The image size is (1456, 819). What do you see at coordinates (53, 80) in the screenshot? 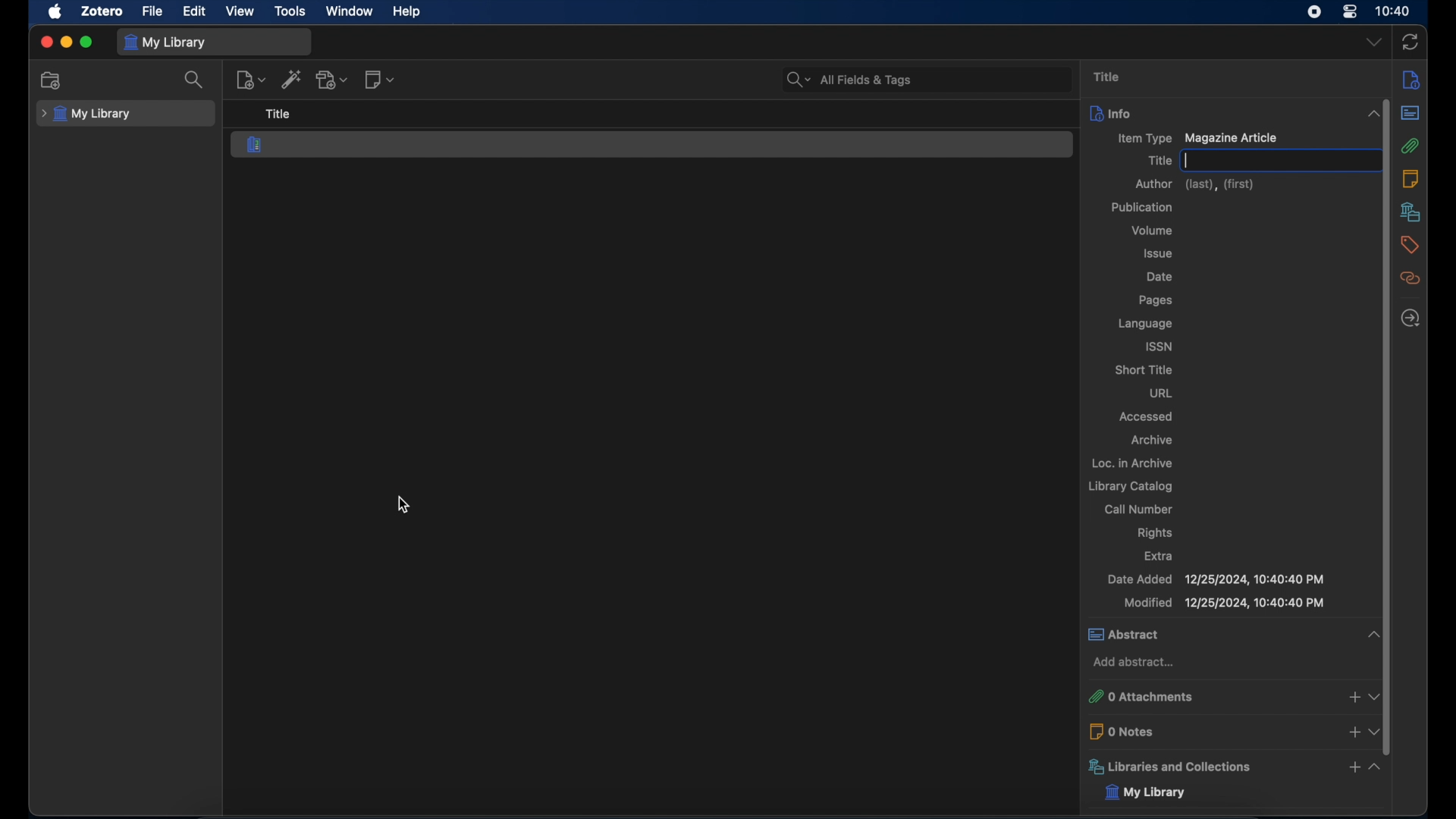
I see `new collection` at bounding box center [53, 80].